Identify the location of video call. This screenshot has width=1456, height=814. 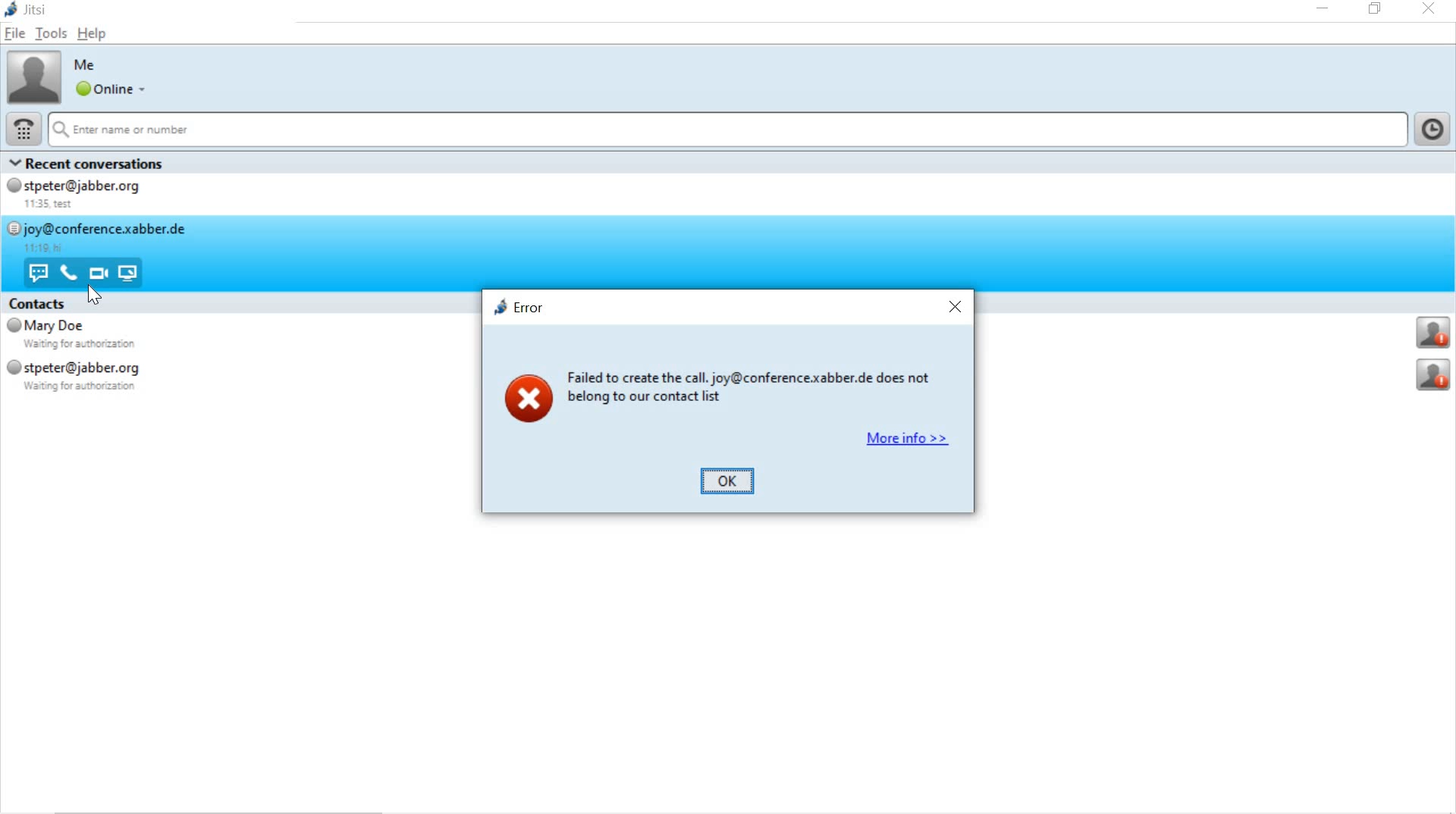
(97, 273).